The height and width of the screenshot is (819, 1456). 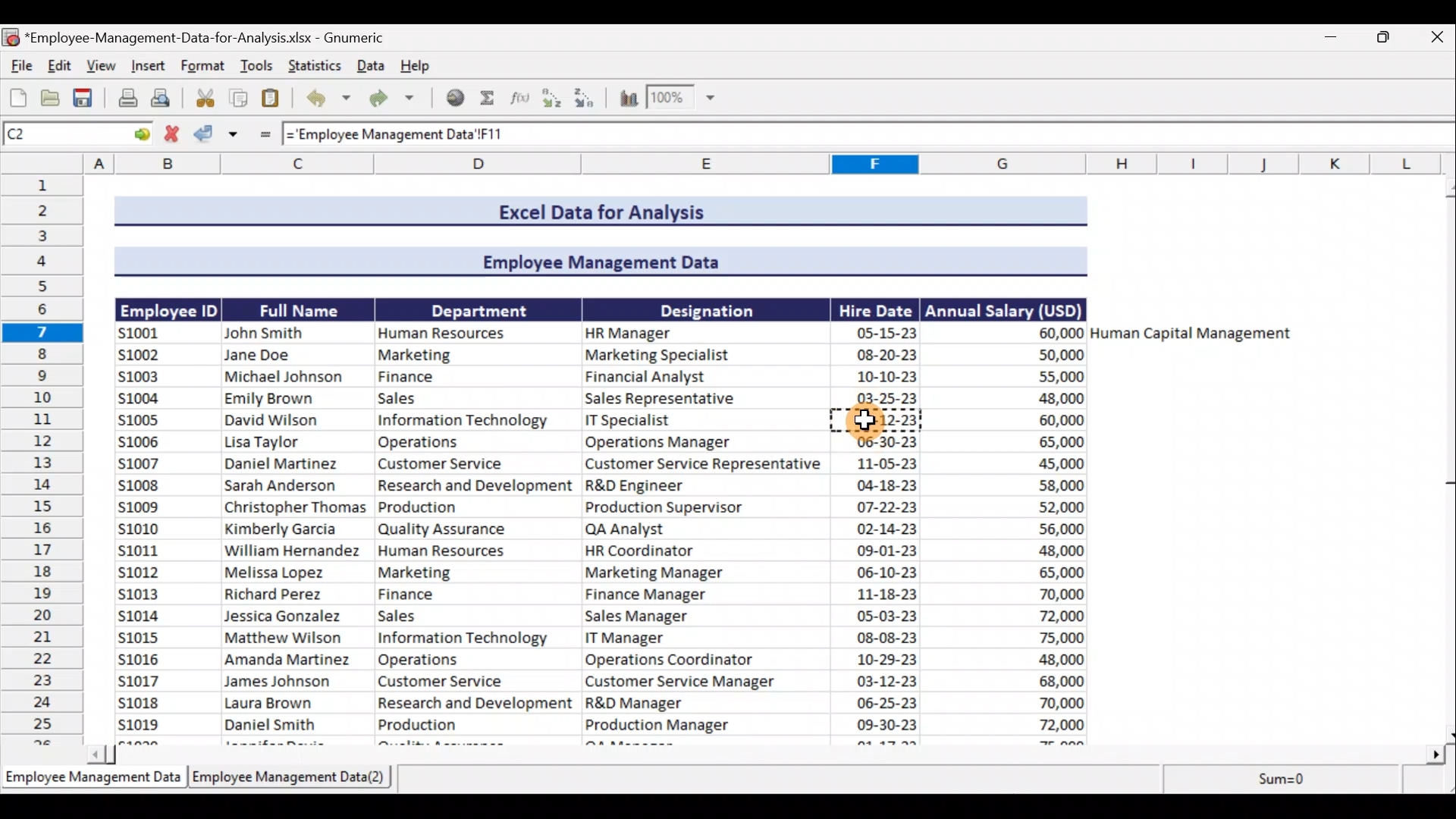 What do you see at coordinates (1439, 38) in the screenshot?
I see `Close` at bounding box center [1439, 38].